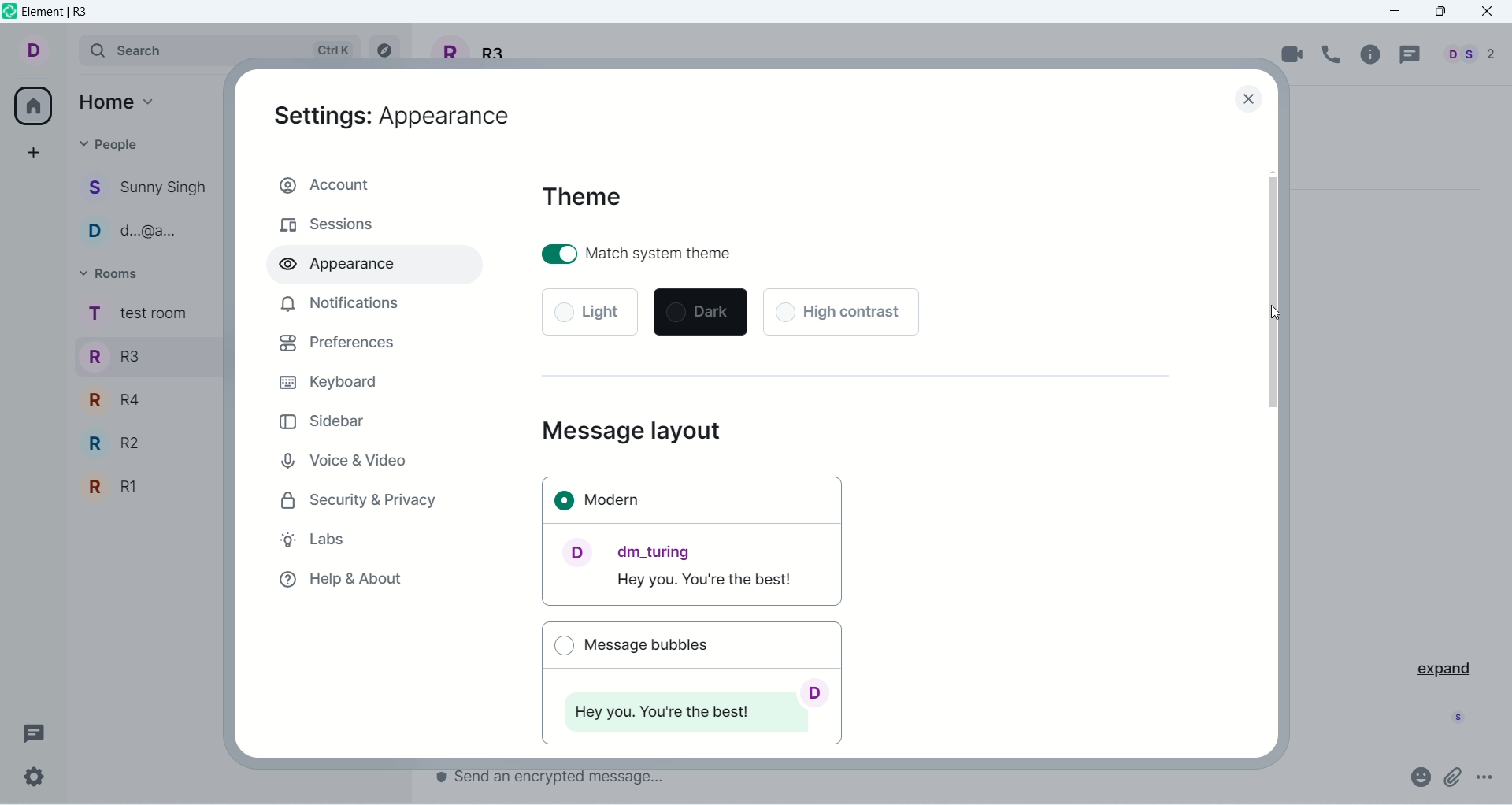 Image resolution: width=1512 pixels, height=805 pixels. What do you see at coordinates (1442, 667) in the screenshot?
I see `expand` at bounding box center [1442, 667].